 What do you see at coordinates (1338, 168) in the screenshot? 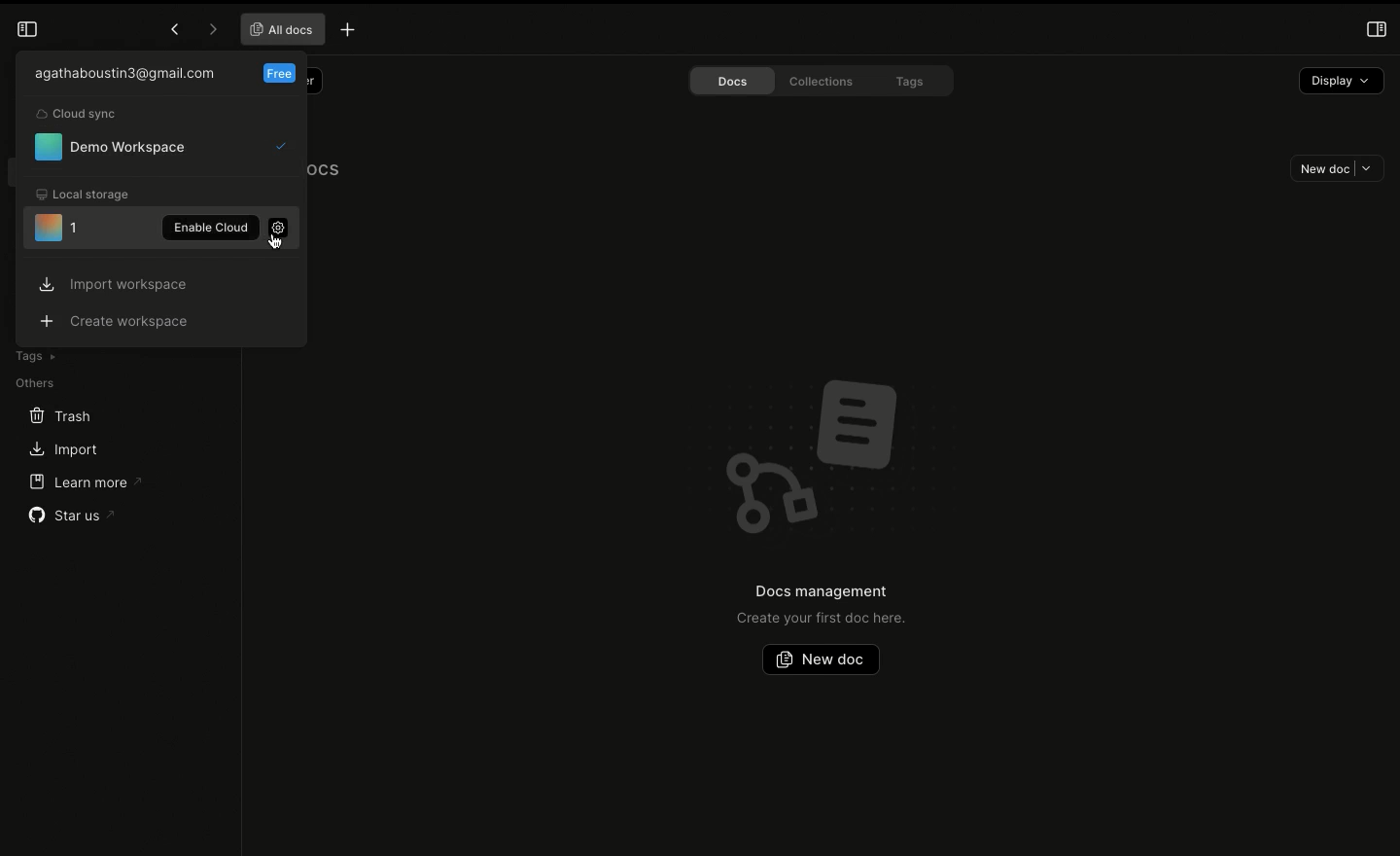
I see `New doc` at bounding box center [1338, 168].